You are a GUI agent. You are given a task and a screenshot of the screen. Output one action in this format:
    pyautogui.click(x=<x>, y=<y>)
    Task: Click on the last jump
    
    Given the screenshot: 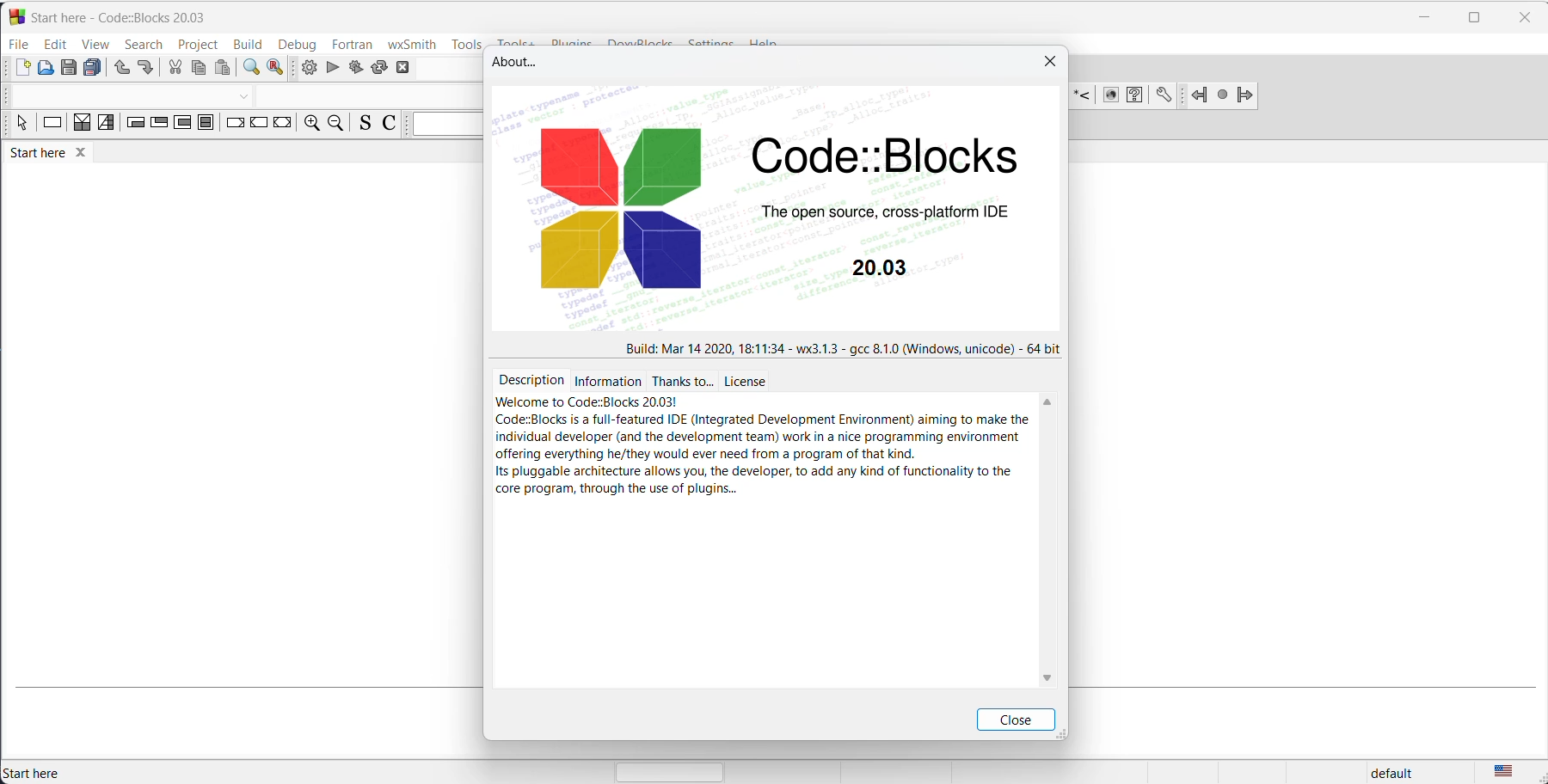 What is the action you would take?
    pyautogui.click(x=1221, y=97)
    